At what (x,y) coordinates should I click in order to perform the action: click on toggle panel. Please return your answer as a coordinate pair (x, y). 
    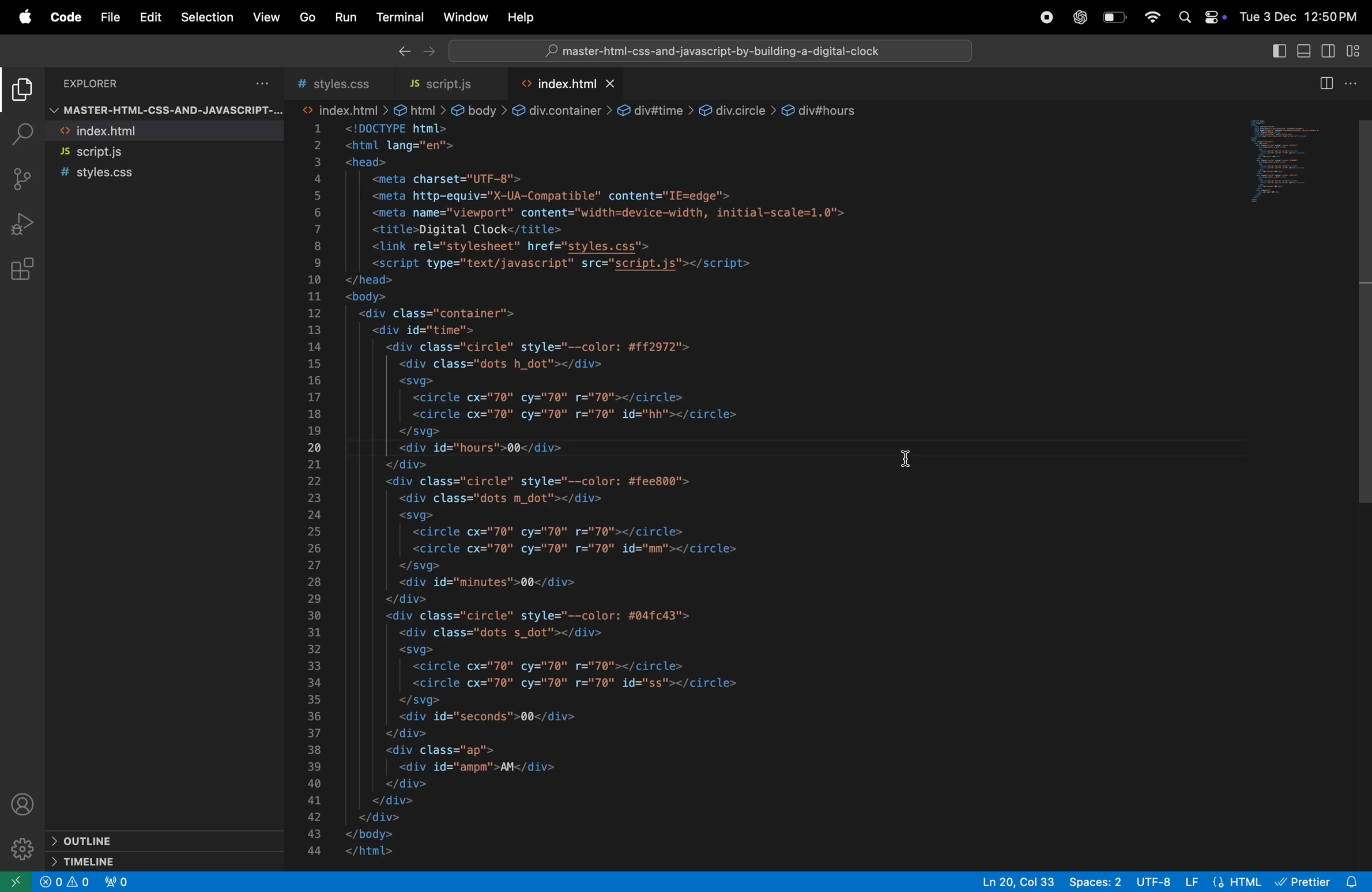
    Looking at the image, I should click on (1302, 51).